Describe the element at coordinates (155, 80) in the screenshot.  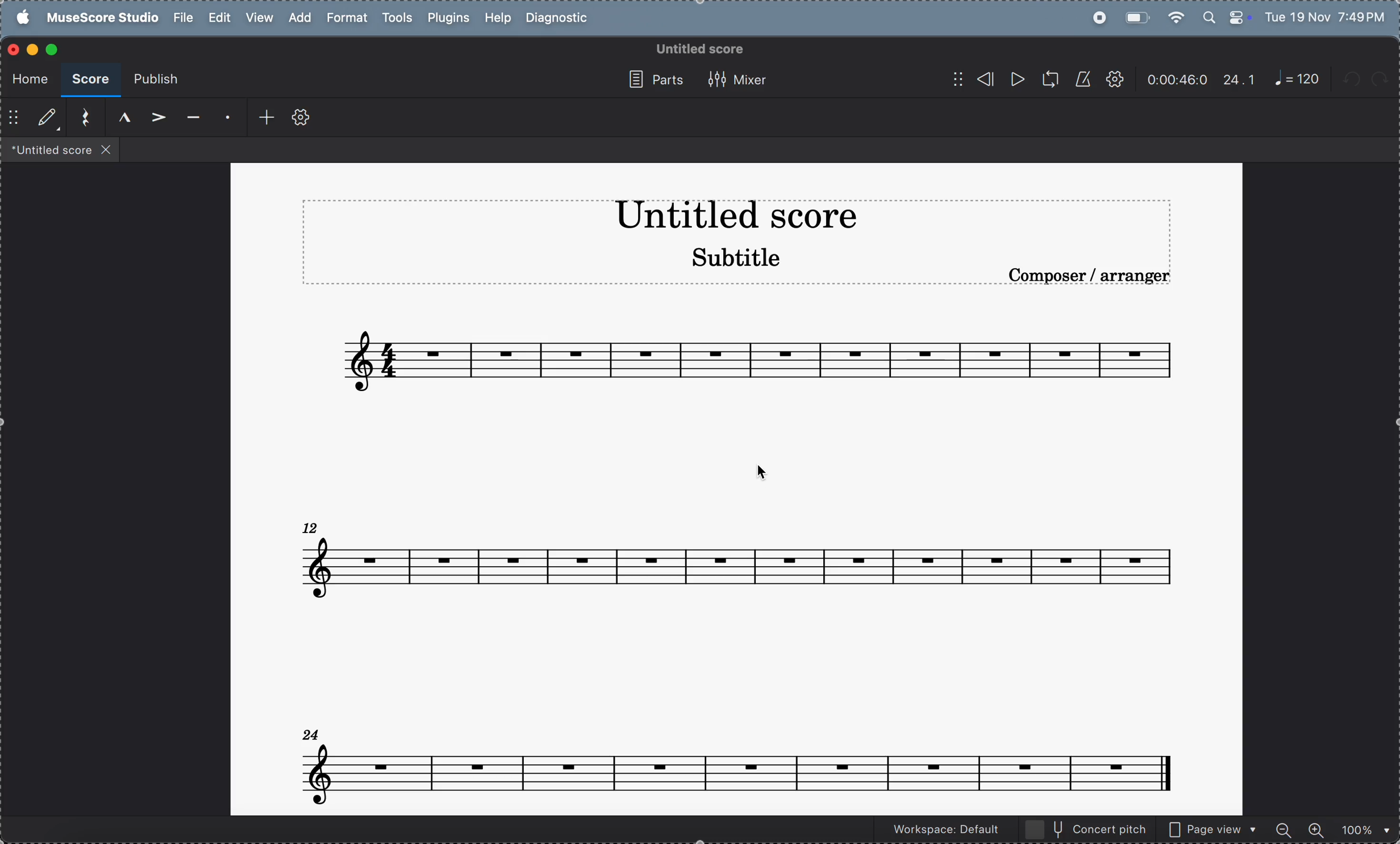
I see `publish` at that location.